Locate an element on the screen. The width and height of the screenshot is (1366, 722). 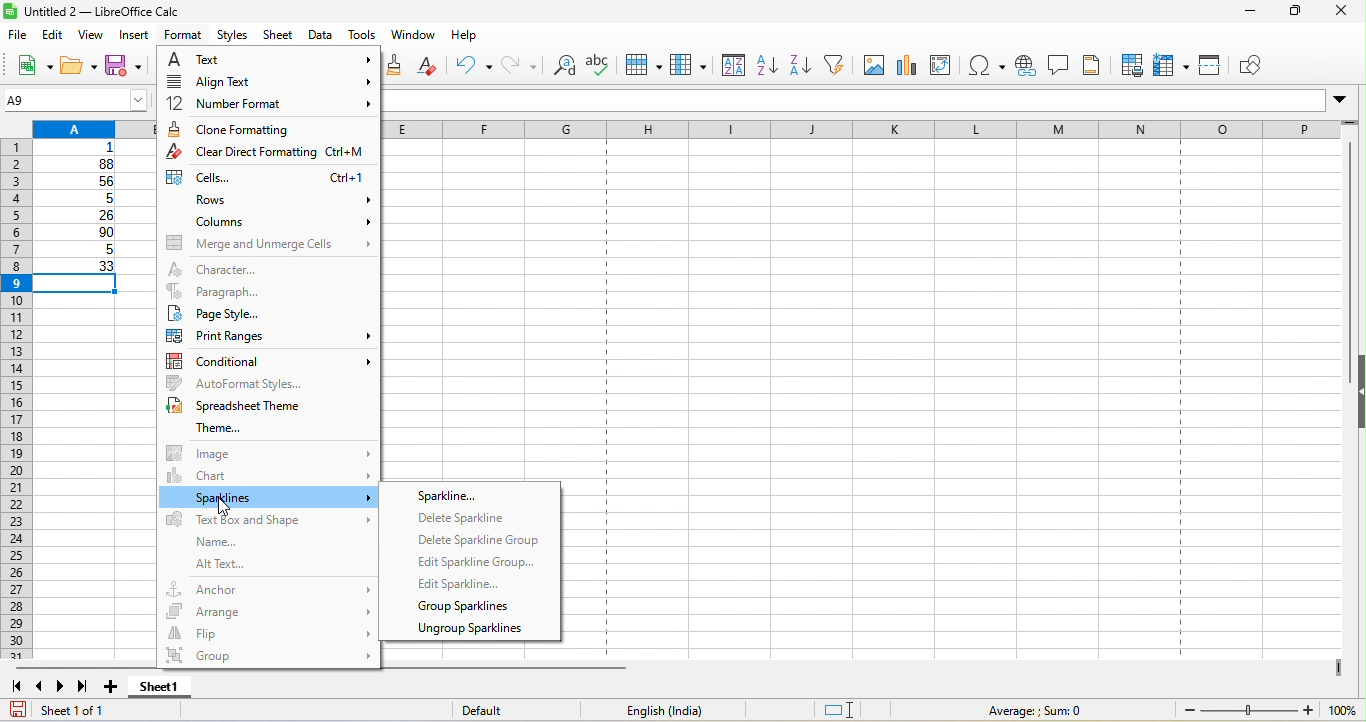
average ; sum 0 is located at coordinates (1025, 710).